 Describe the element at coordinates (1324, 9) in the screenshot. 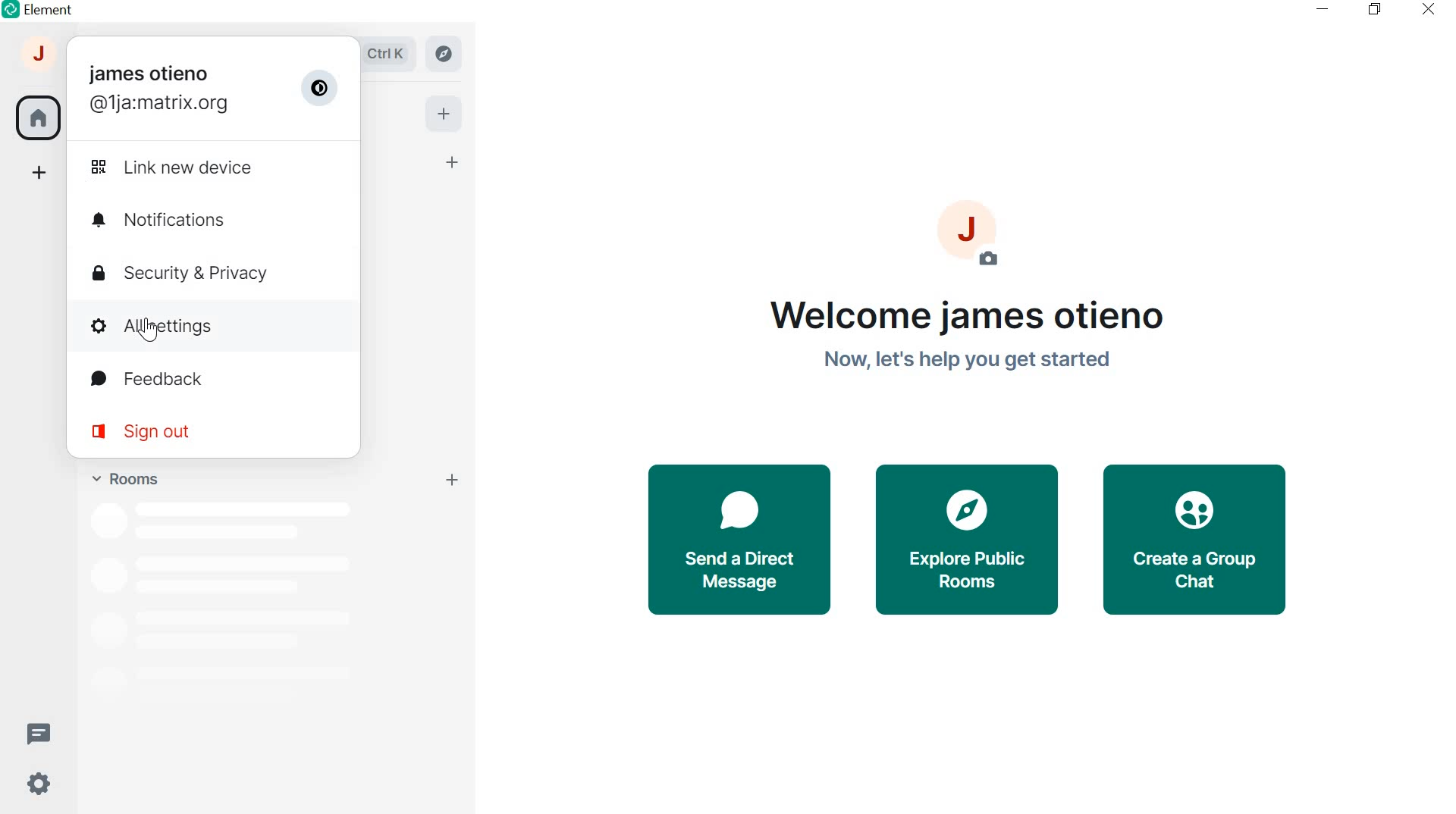

I see `MINIMIZE` at that location.